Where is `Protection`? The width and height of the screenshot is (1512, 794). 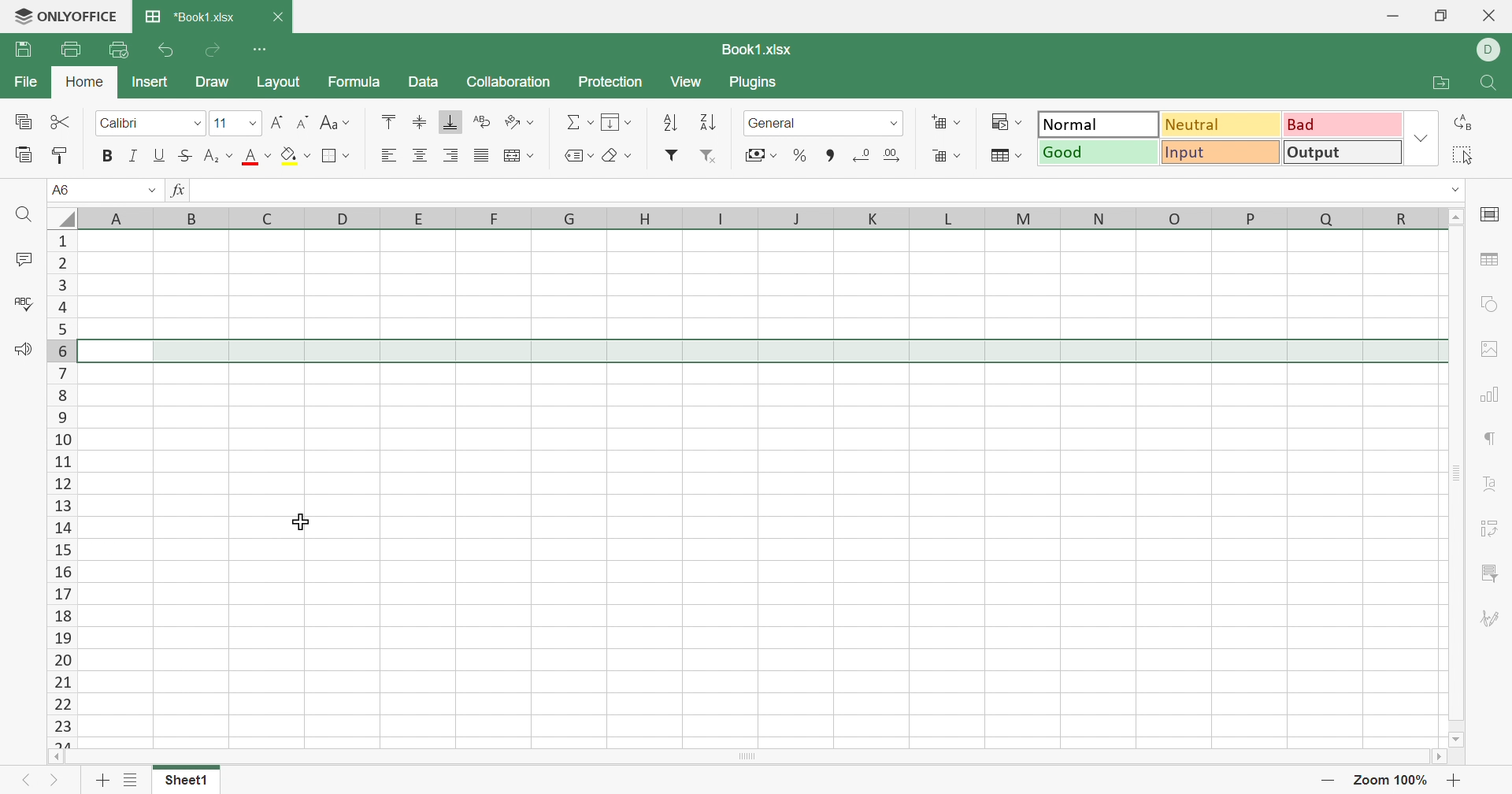 Protection is located at coordinates (610, 79).